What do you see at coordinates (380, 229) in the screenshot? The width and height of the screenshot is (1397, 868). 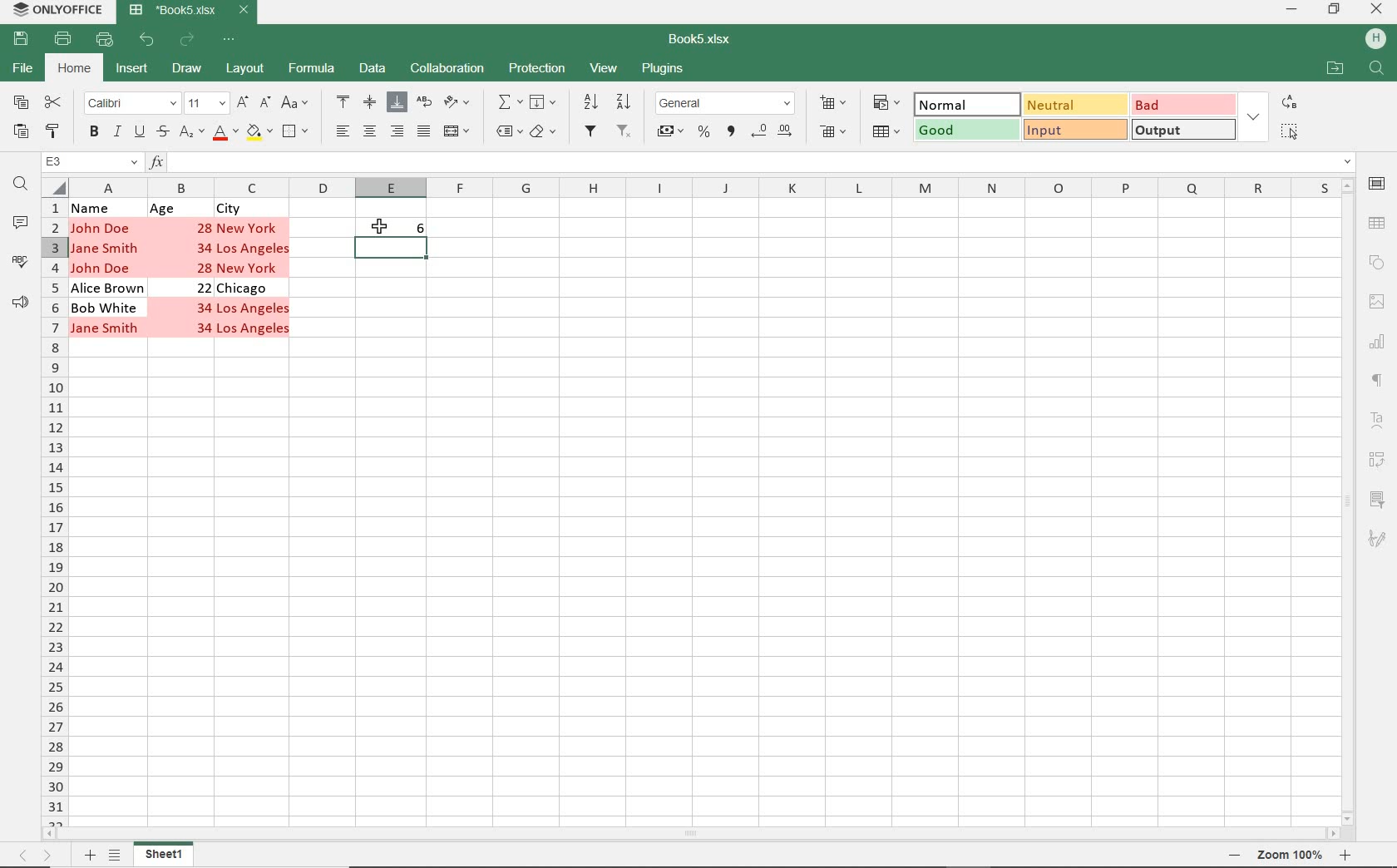 I see `CURSOR on Selected cell` at bounding box center [380, 229].